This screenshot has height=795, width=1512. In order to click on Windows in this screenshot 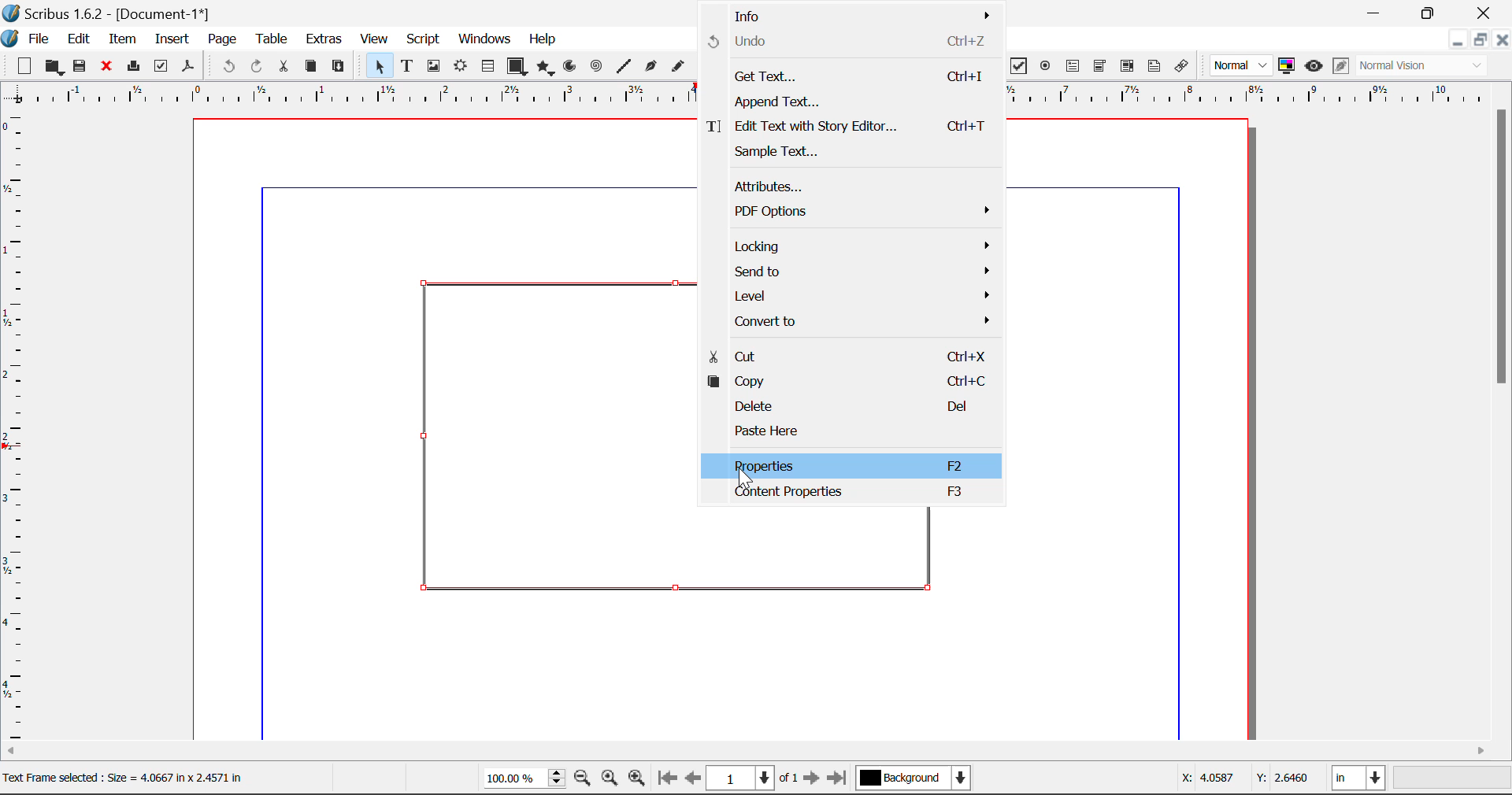, I will do `click(484, 40)`.